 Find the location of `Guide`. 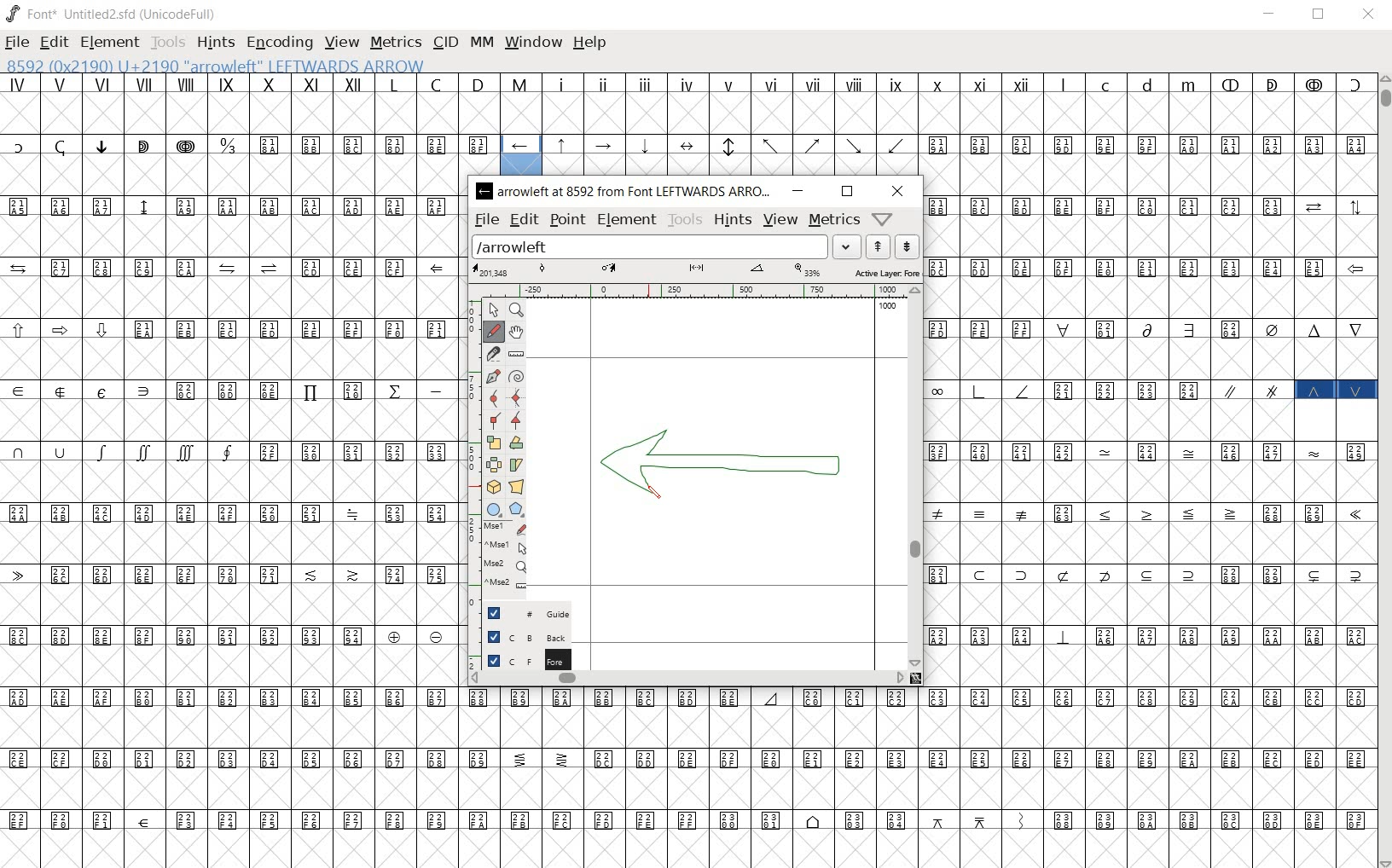

Guide is located at coordinates (522, 613).